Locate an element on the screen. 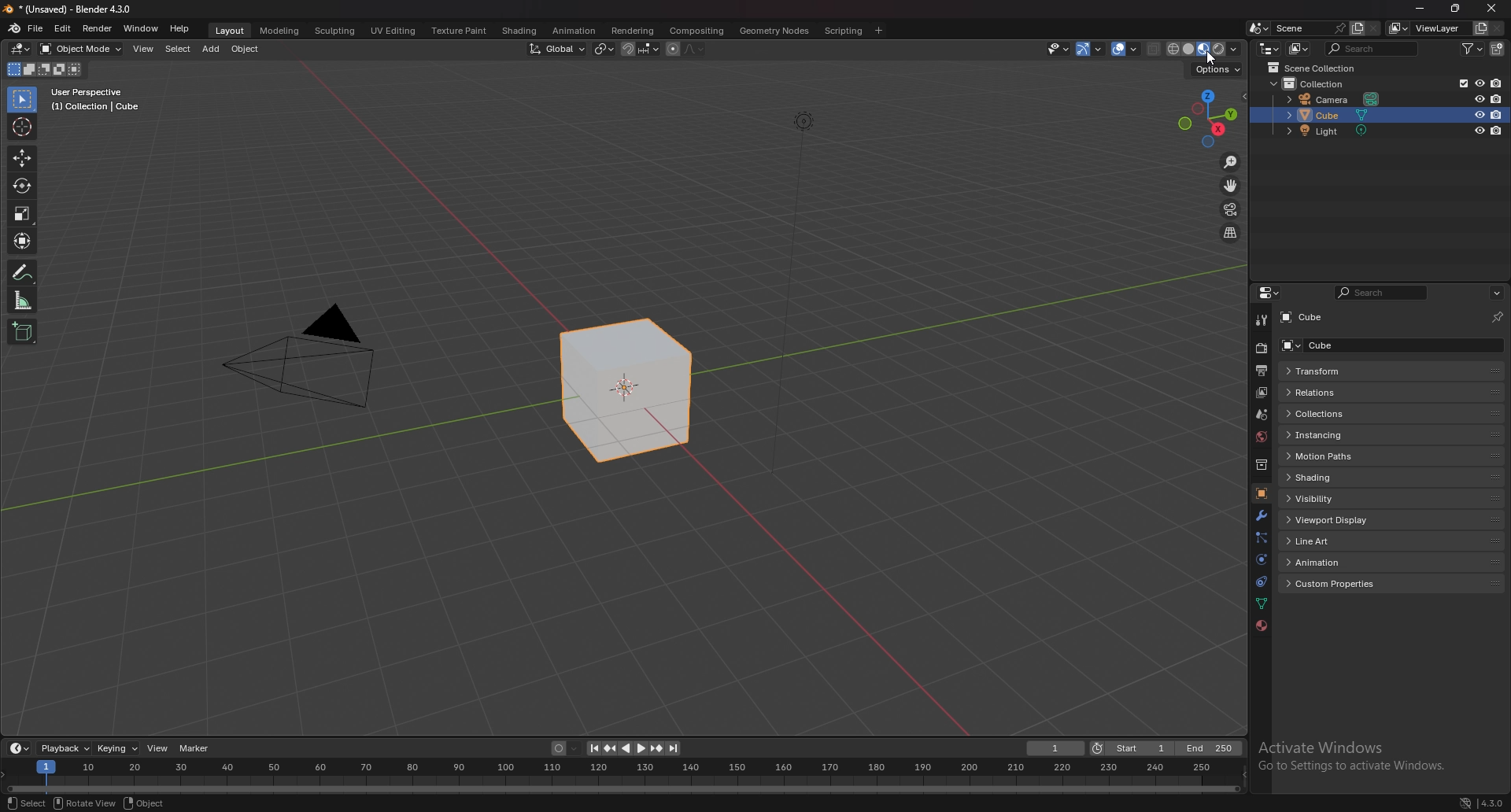 This screenshot has width=1511, height=812. toggle xray is located at coordinates (1155, 49).